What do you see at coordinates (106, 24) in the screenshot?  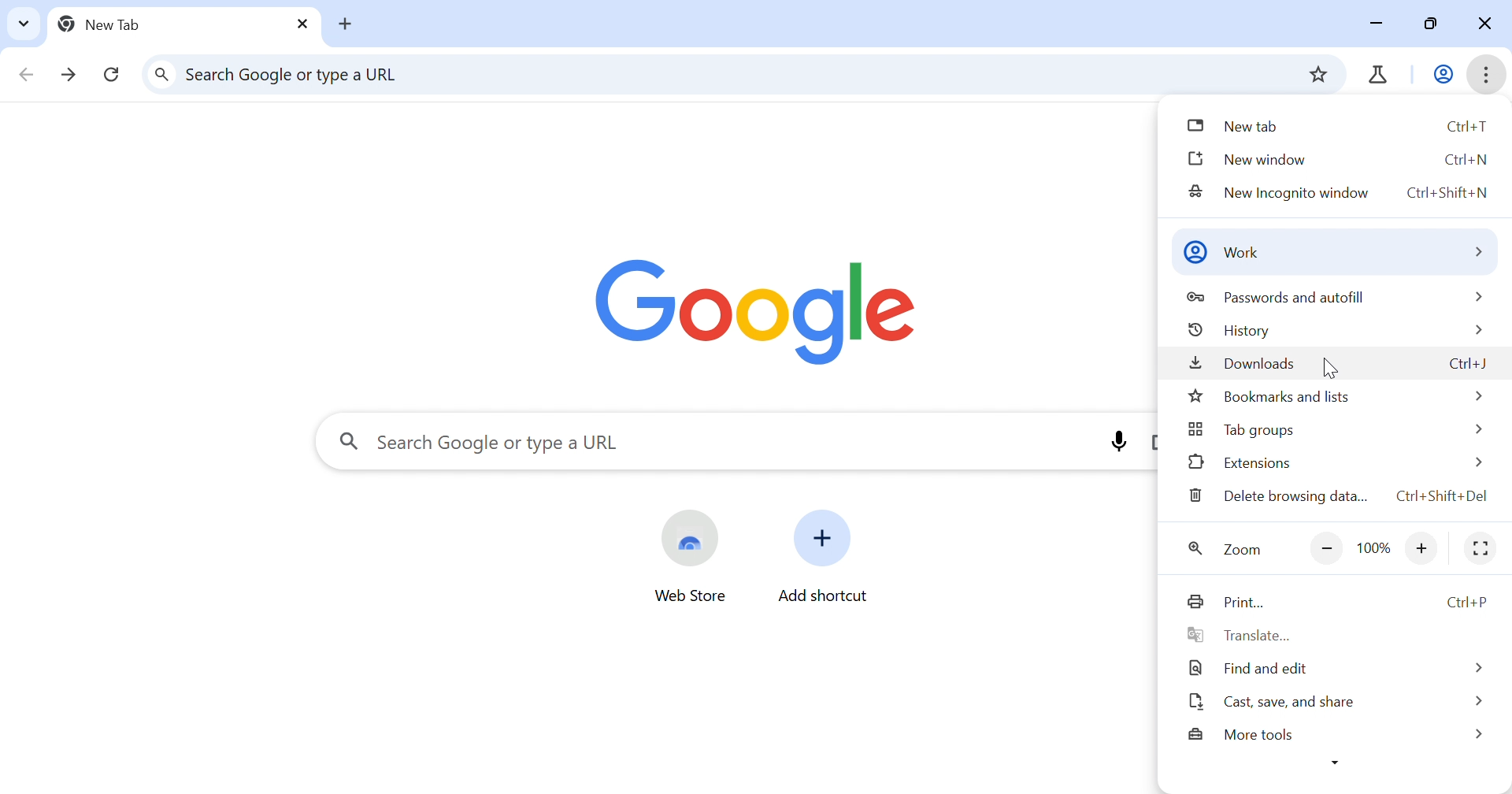 I see `New tab` at bounding box center [106, 24].